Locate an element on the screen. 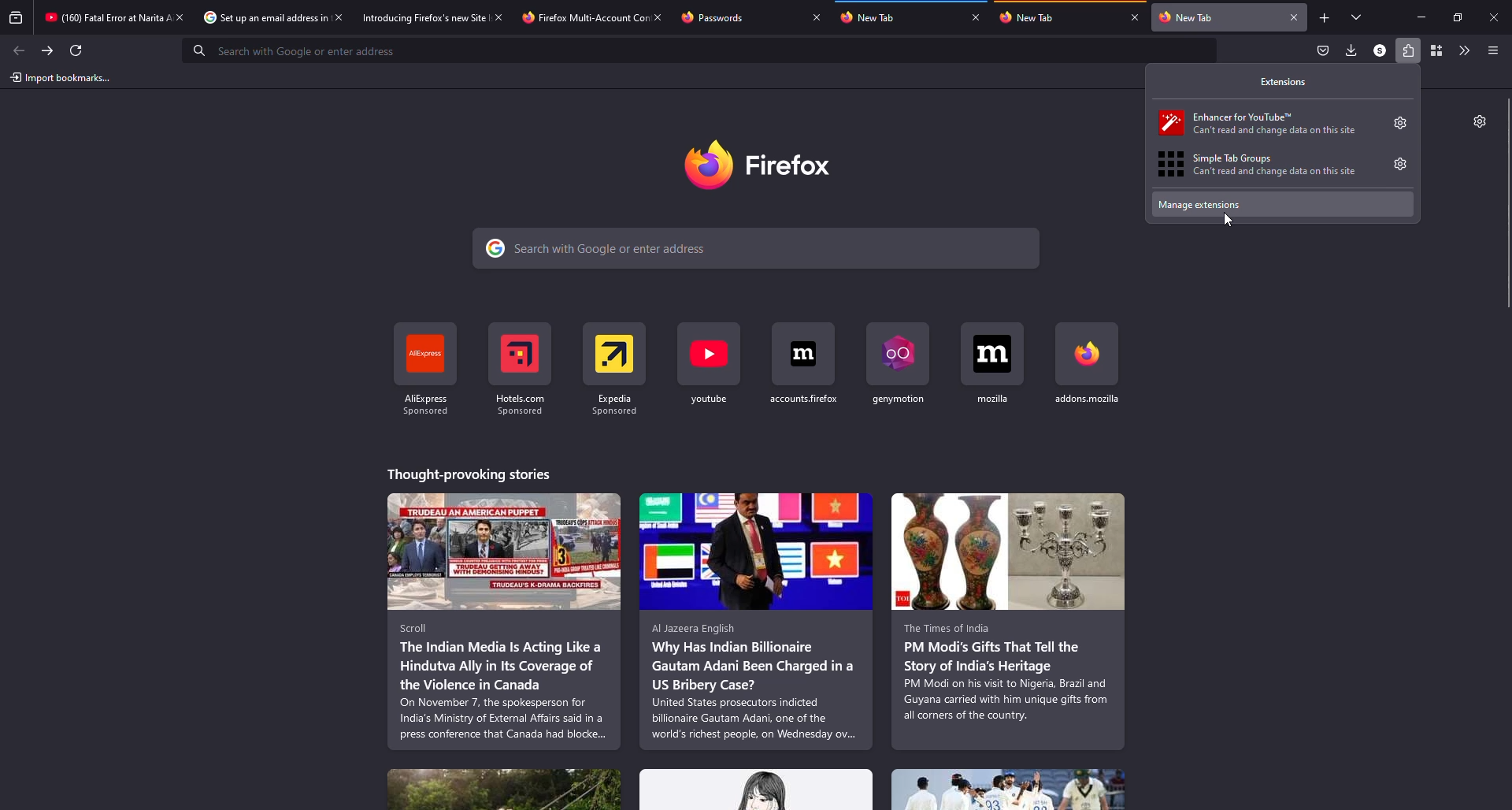 The height and width of the screenshot is (810, 1512). stories is located at coordinates (504, 621).